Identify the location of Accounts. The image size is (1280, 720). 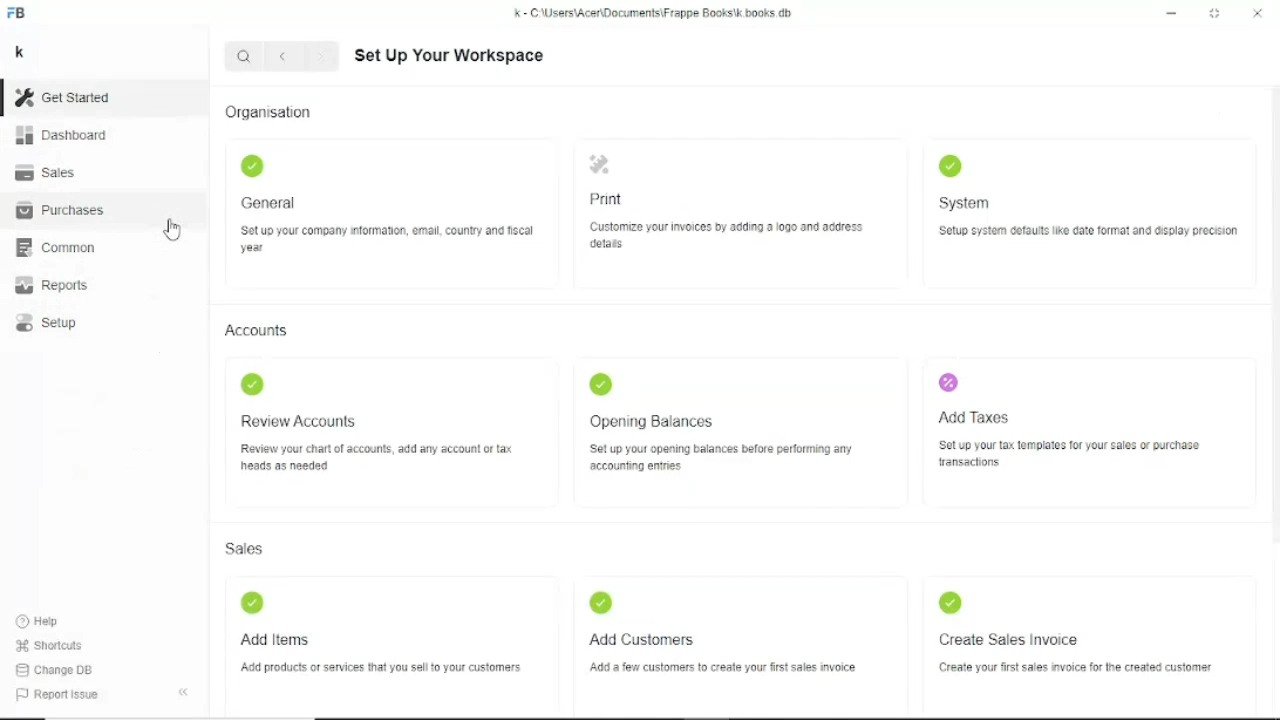
(257, 329).